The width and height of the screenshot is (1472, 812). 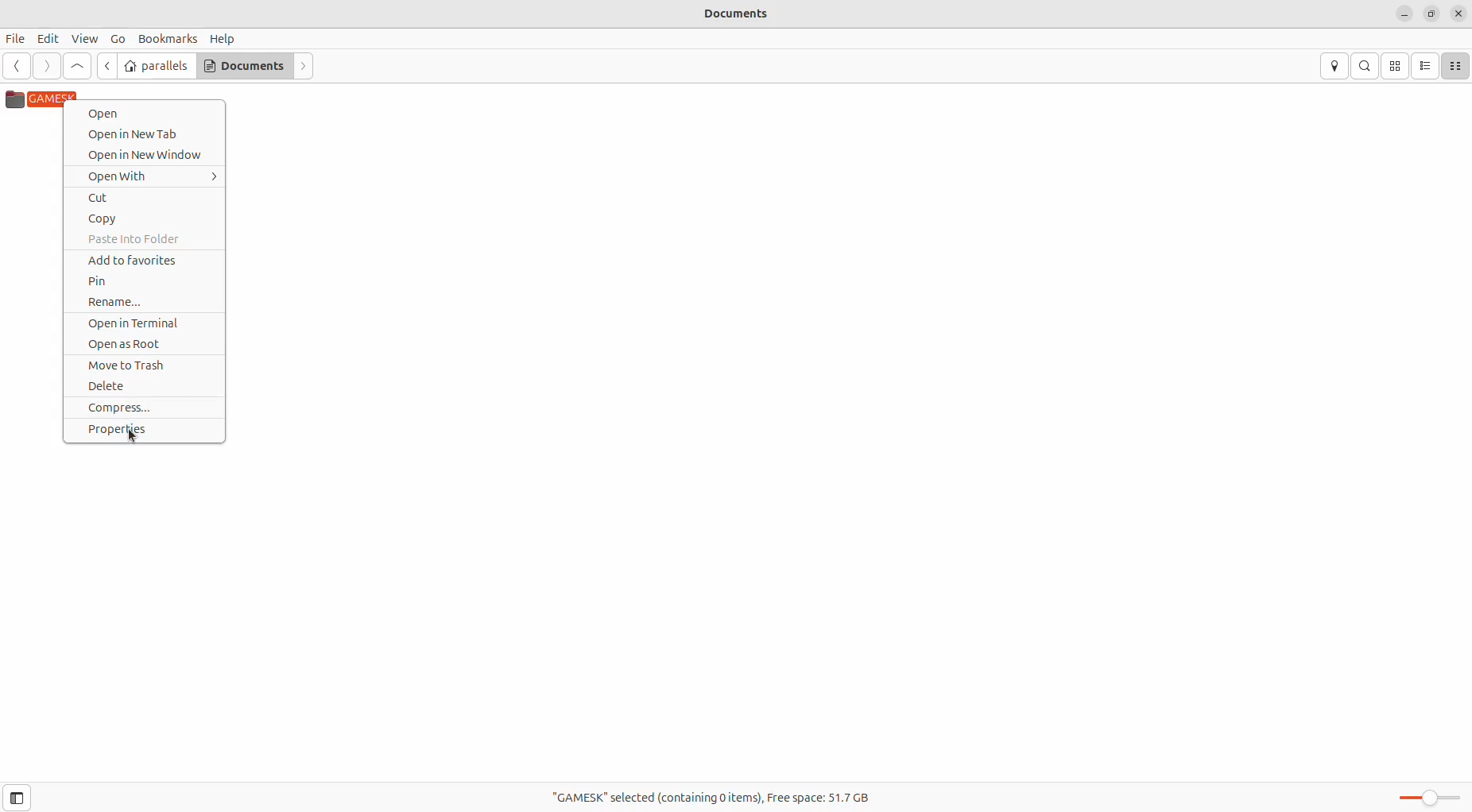 I want to click on compress, so click(x=139, y=408).